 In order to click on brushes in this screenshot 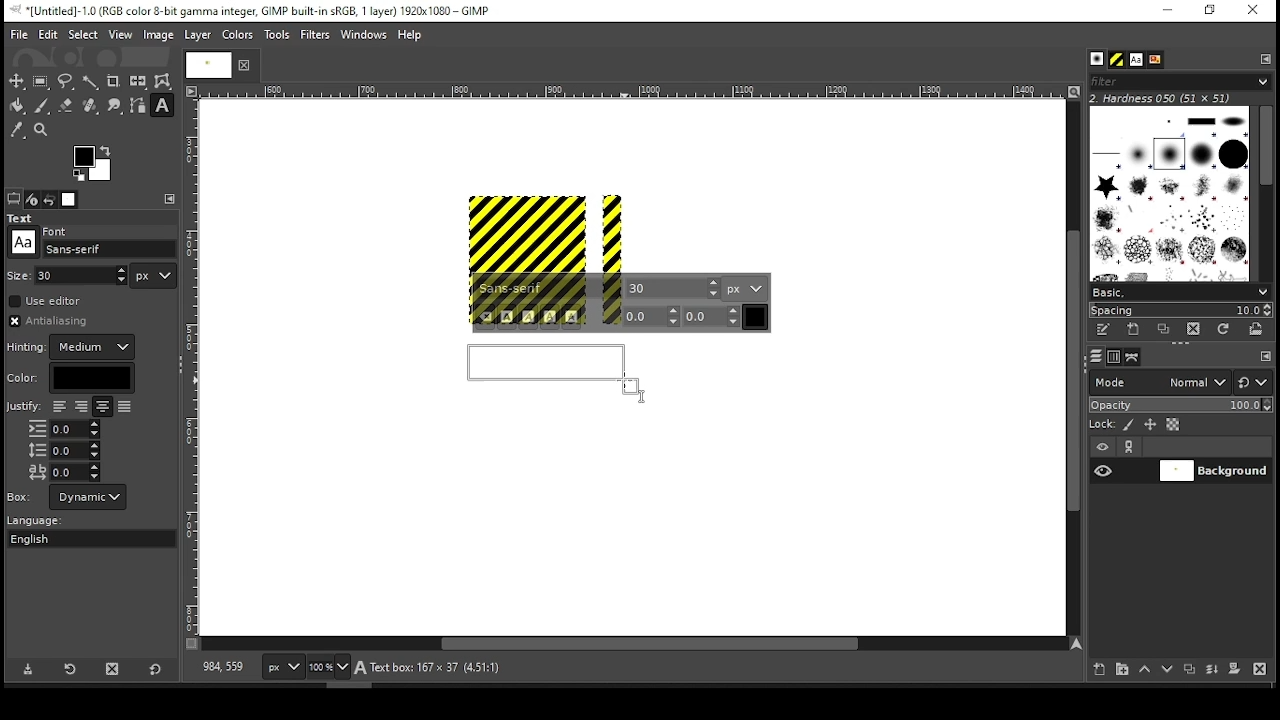, I will do `click(1097, 60)`.